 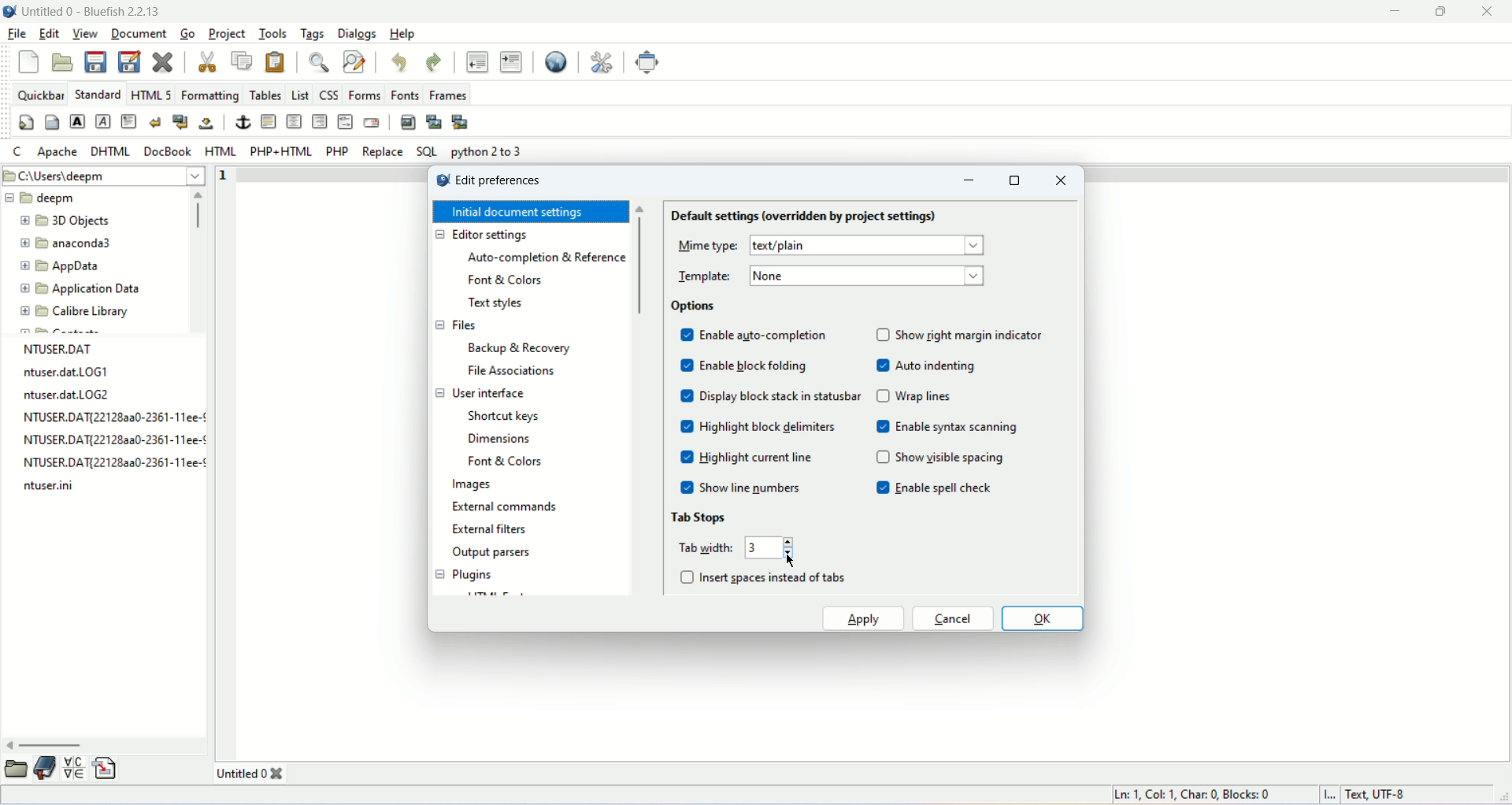 What do you see at coordinates (493, 555) in the screenshot?
I see `output` at bounding box center [493, 555].